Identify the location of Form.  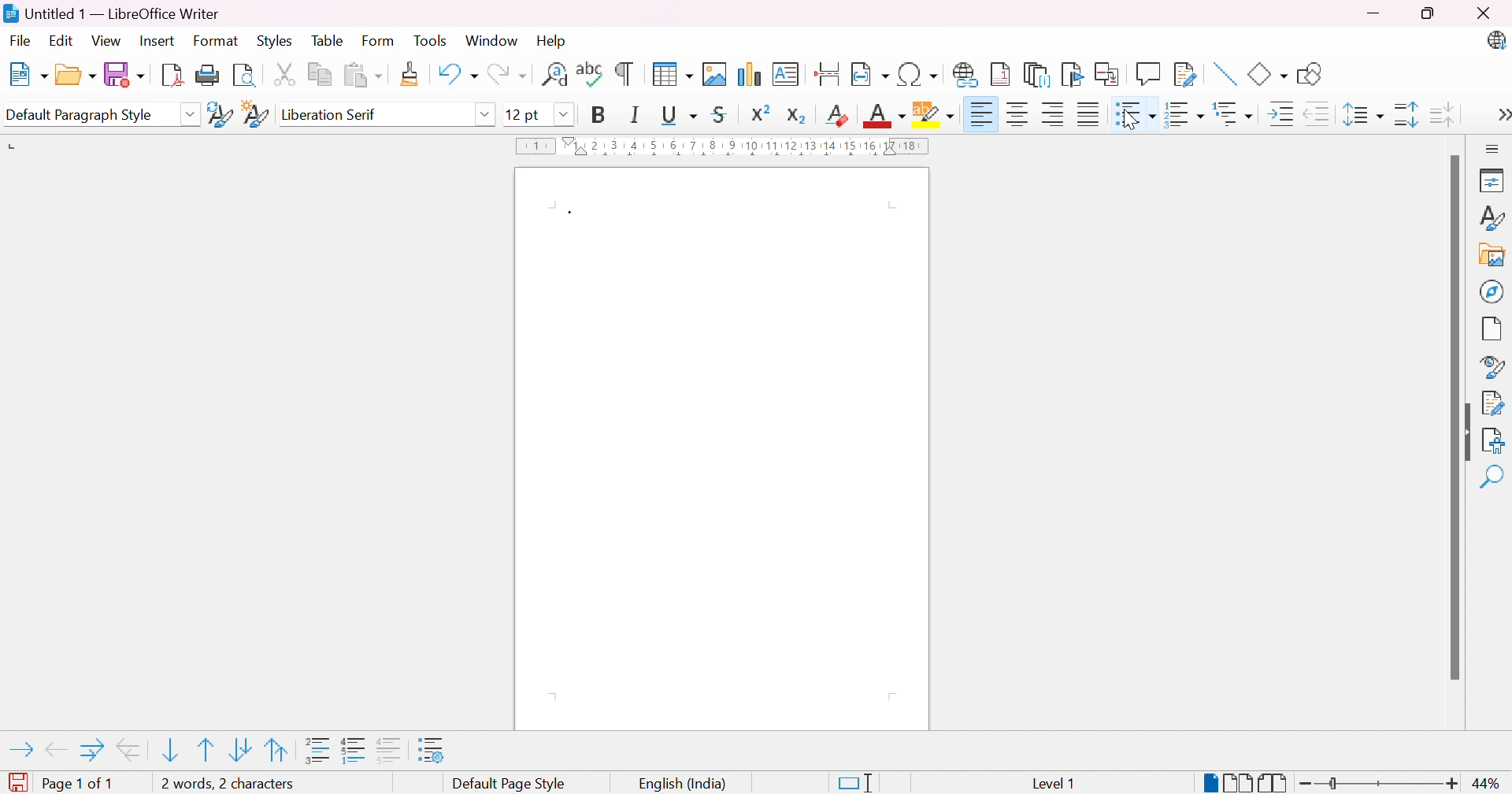
(377, 40).